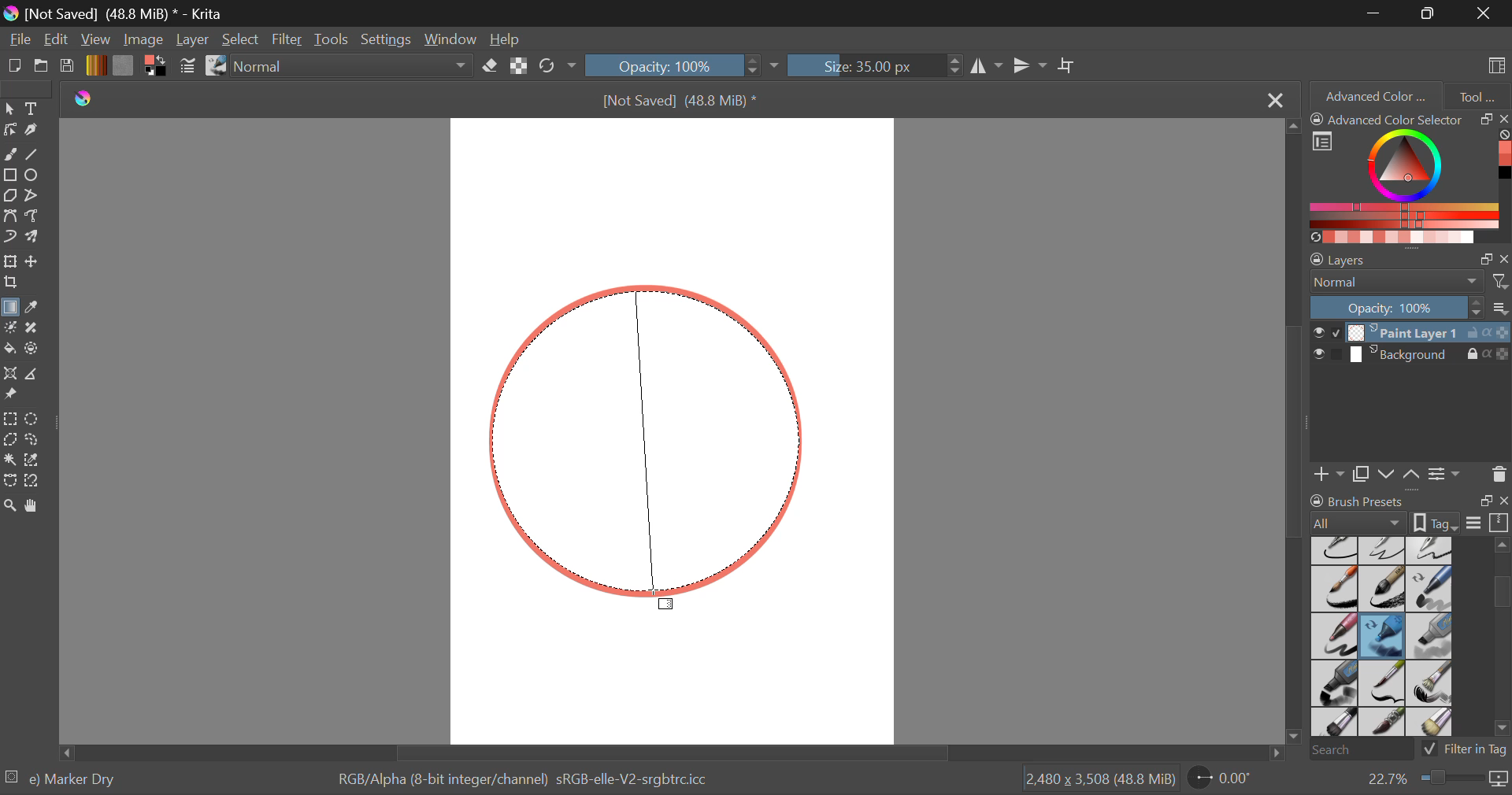  Describe the element at coordinates (13, 218) in the screenshot. I see `Bezier Curve` at that location.